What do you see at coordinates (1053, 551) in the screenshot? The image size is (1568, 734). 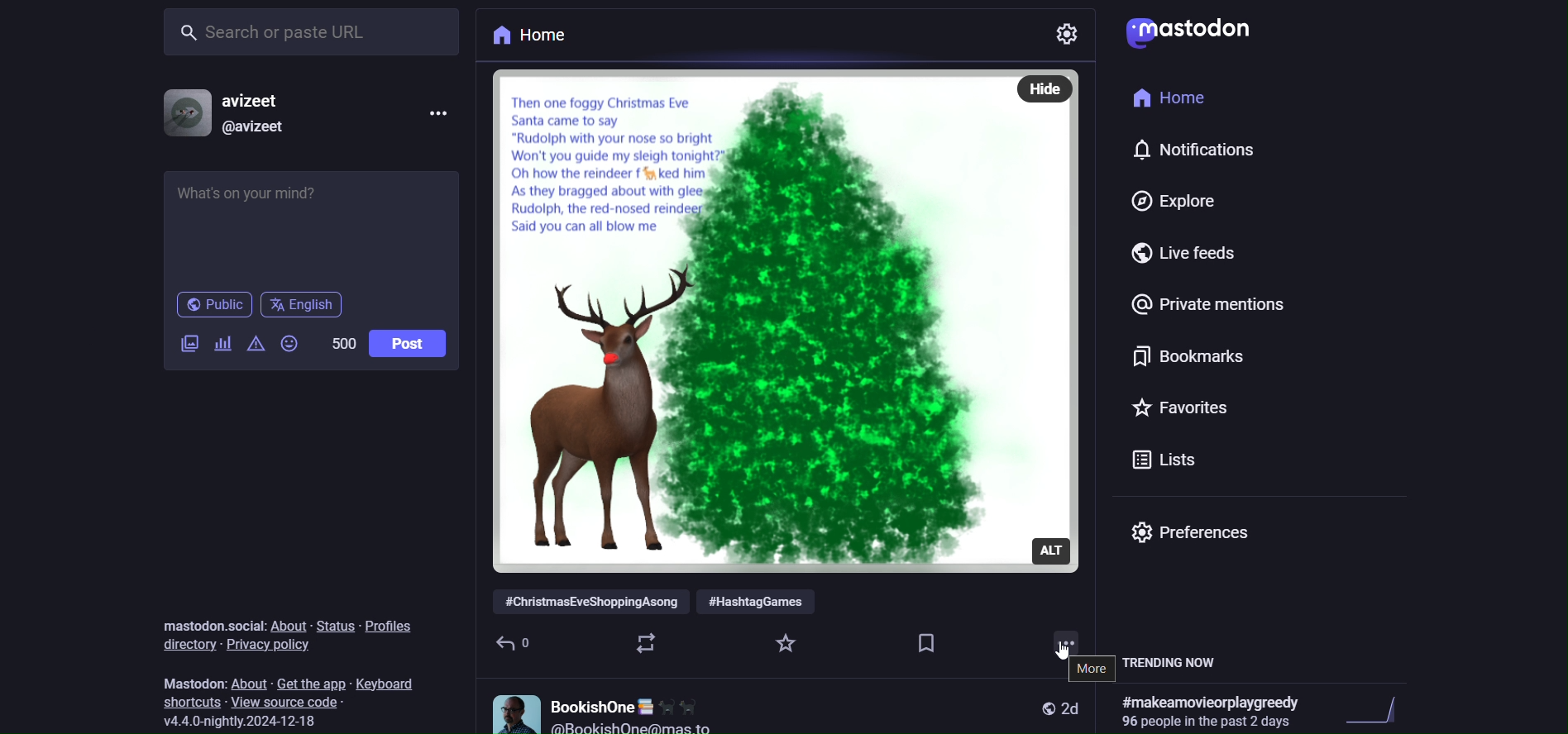 I see `alt` at bounding box center [1053, 551].